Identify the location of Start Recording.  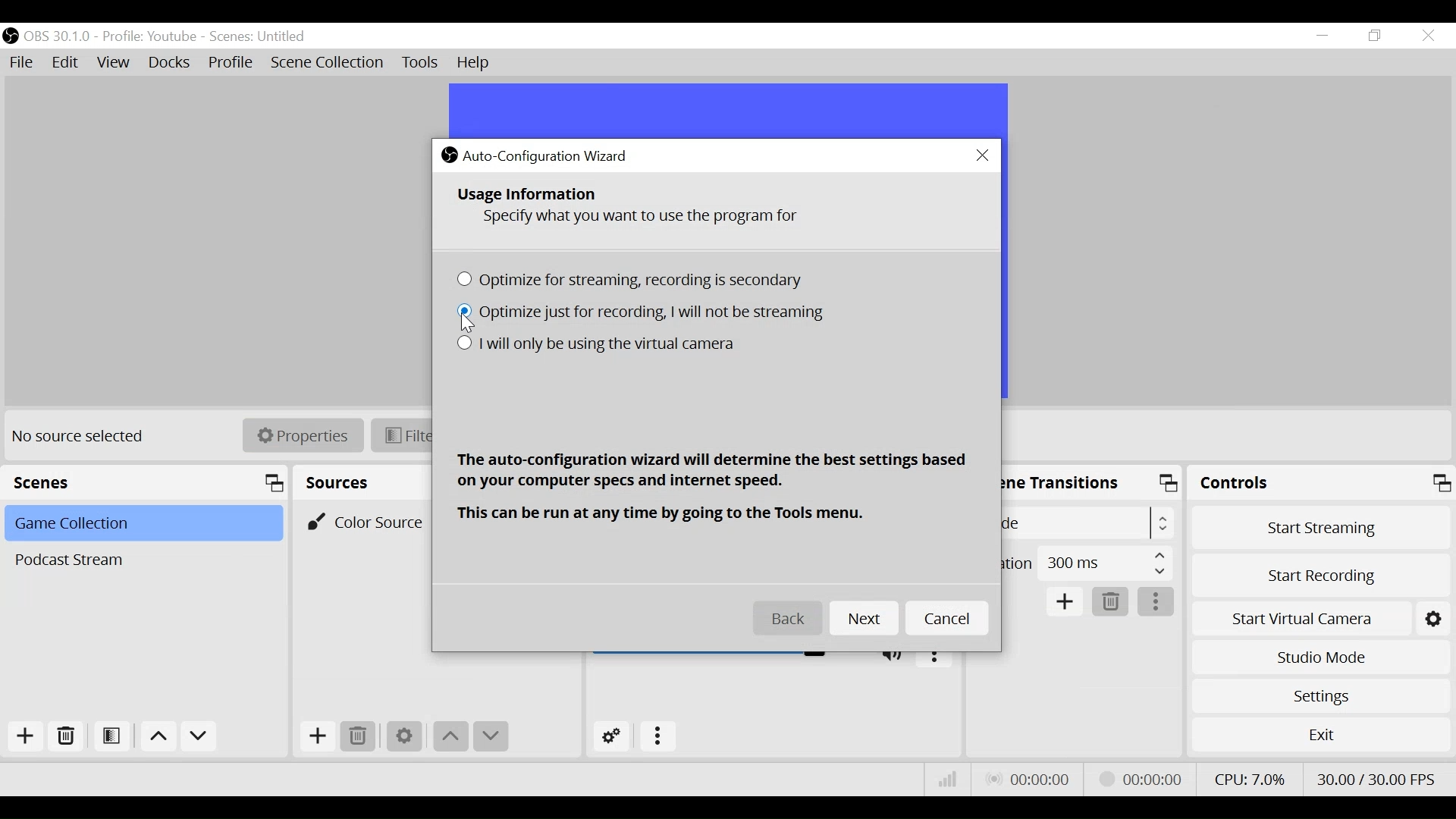
(1319, 574).